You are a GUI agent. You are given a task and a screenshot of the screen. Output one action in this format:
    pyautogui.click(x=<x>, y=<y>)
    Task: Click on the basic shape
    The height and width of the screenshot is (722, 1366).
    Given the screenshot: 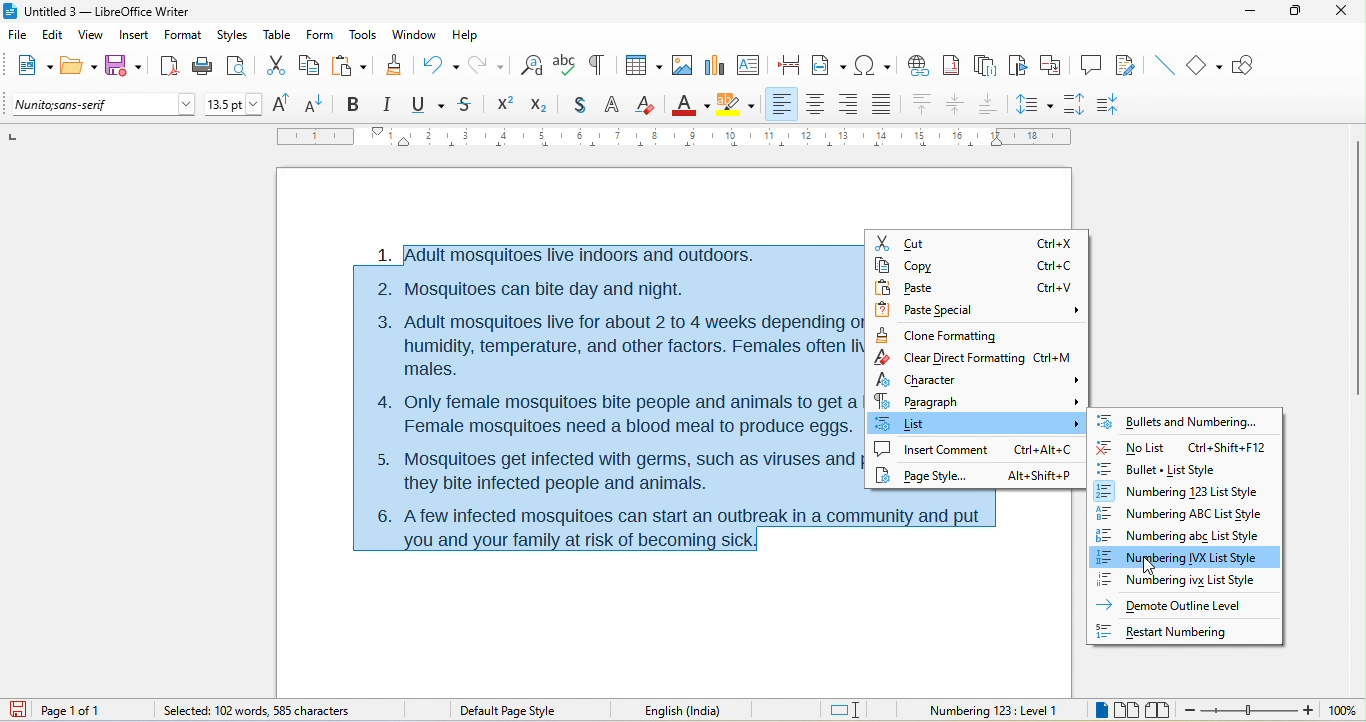 What is the action you would take?
    pyautogui.click(x=1207, y=66)
    